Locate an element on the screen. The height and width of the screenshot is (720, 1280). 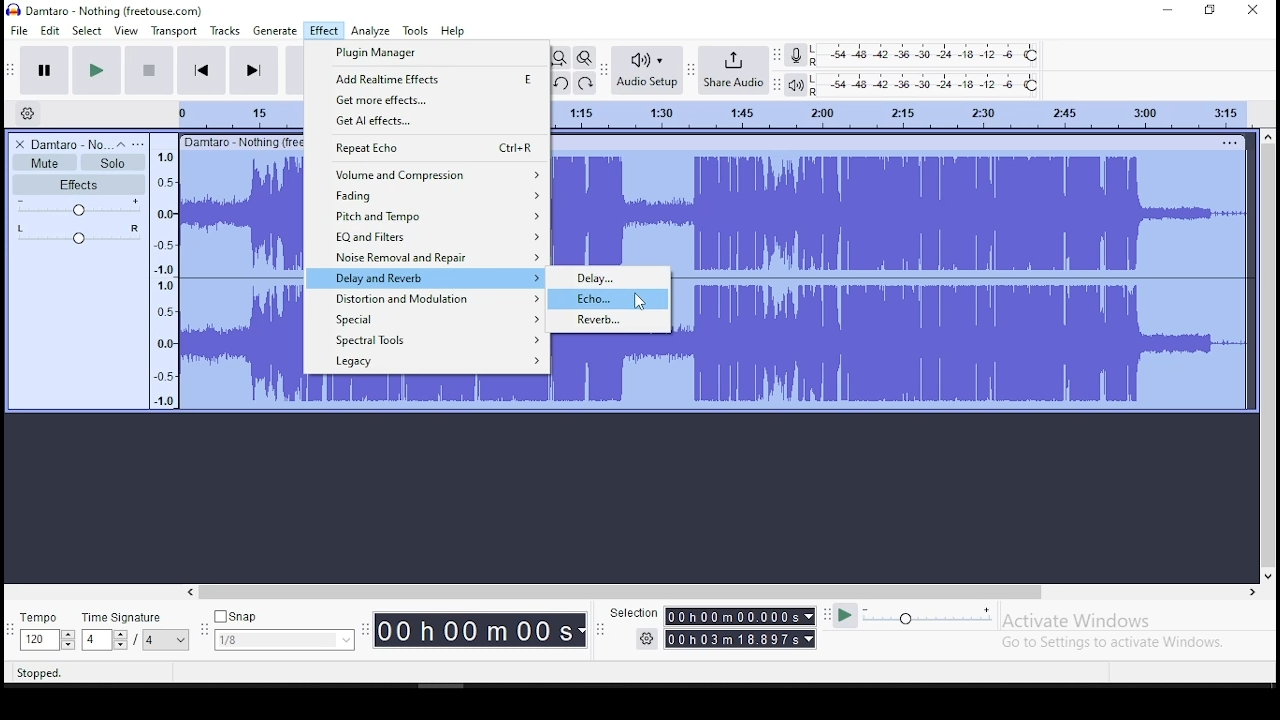
120 is located at coordinates (37, 640).